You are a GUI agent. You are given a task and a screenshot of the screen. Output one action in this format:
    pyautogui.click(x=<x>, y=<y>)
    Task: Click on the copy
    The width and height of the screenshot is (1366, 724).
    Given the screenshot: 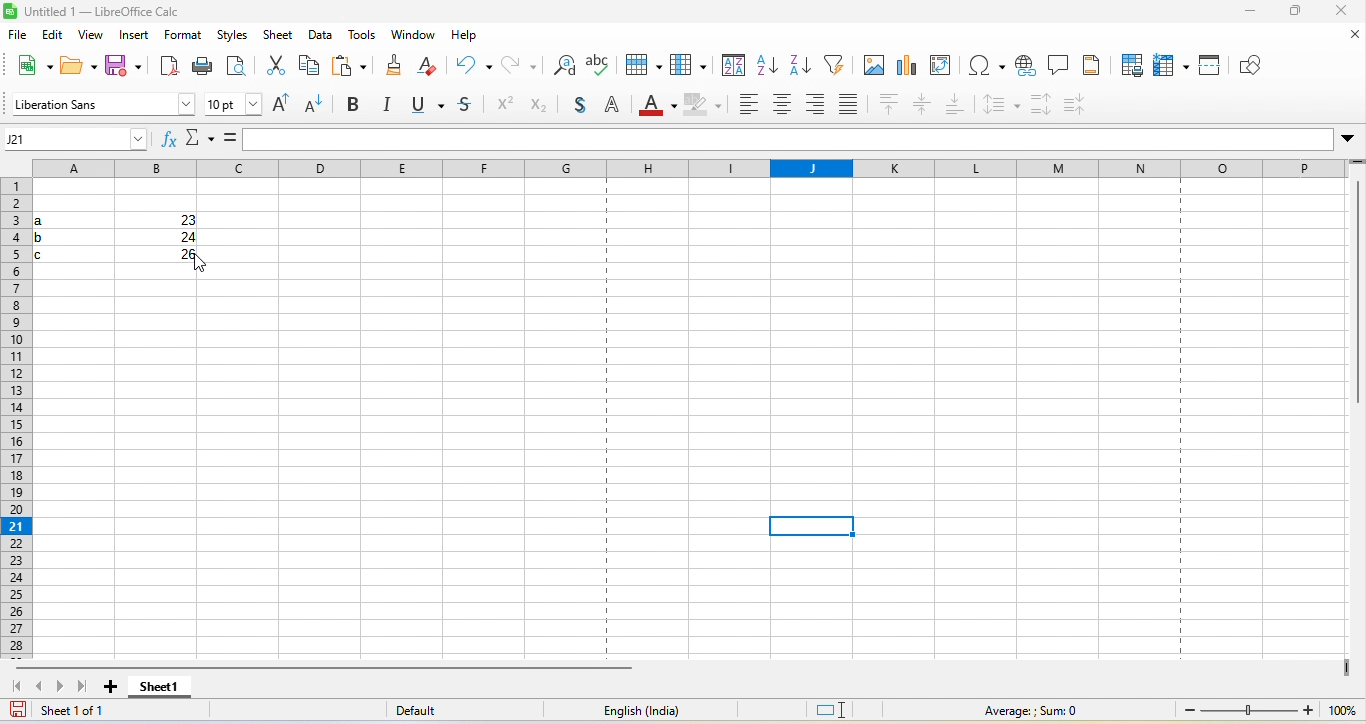 What is the action you would take?
    pyautogui.click(x=311, y=67)
    